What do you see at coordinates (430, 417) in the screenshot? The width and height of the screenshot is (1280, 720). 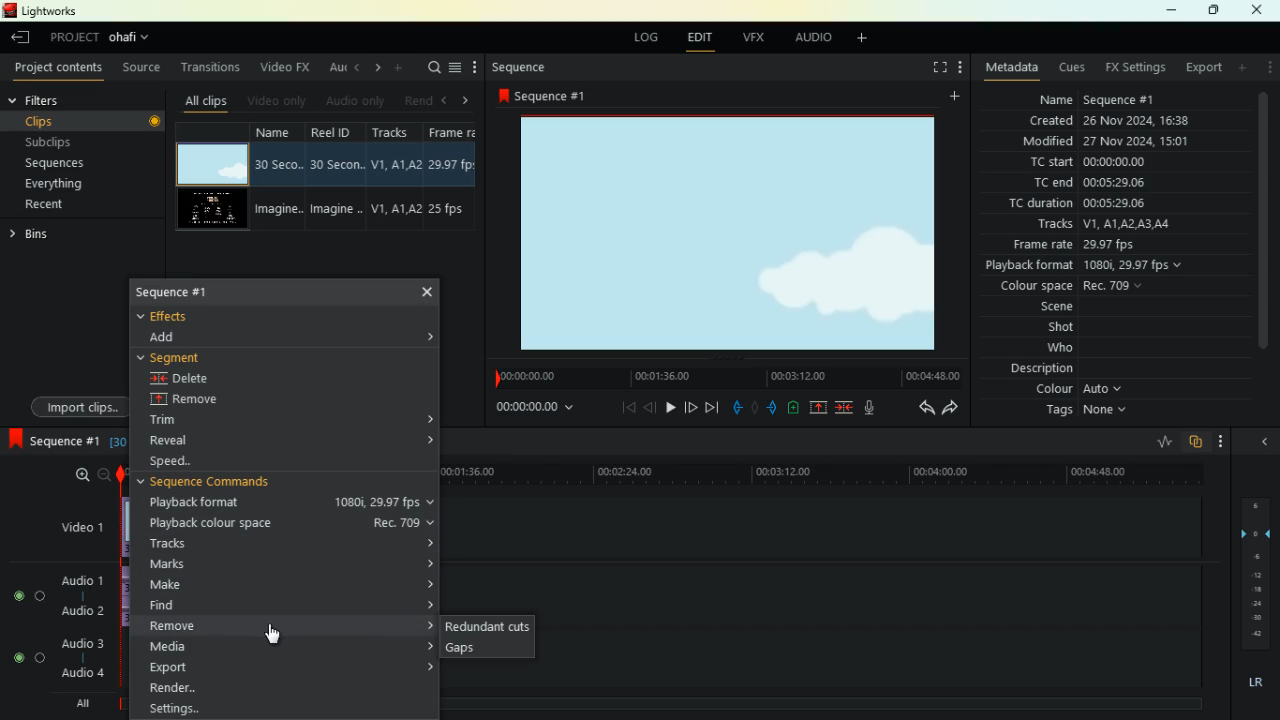 I see `Accordion` at bounding box center [430, 417].